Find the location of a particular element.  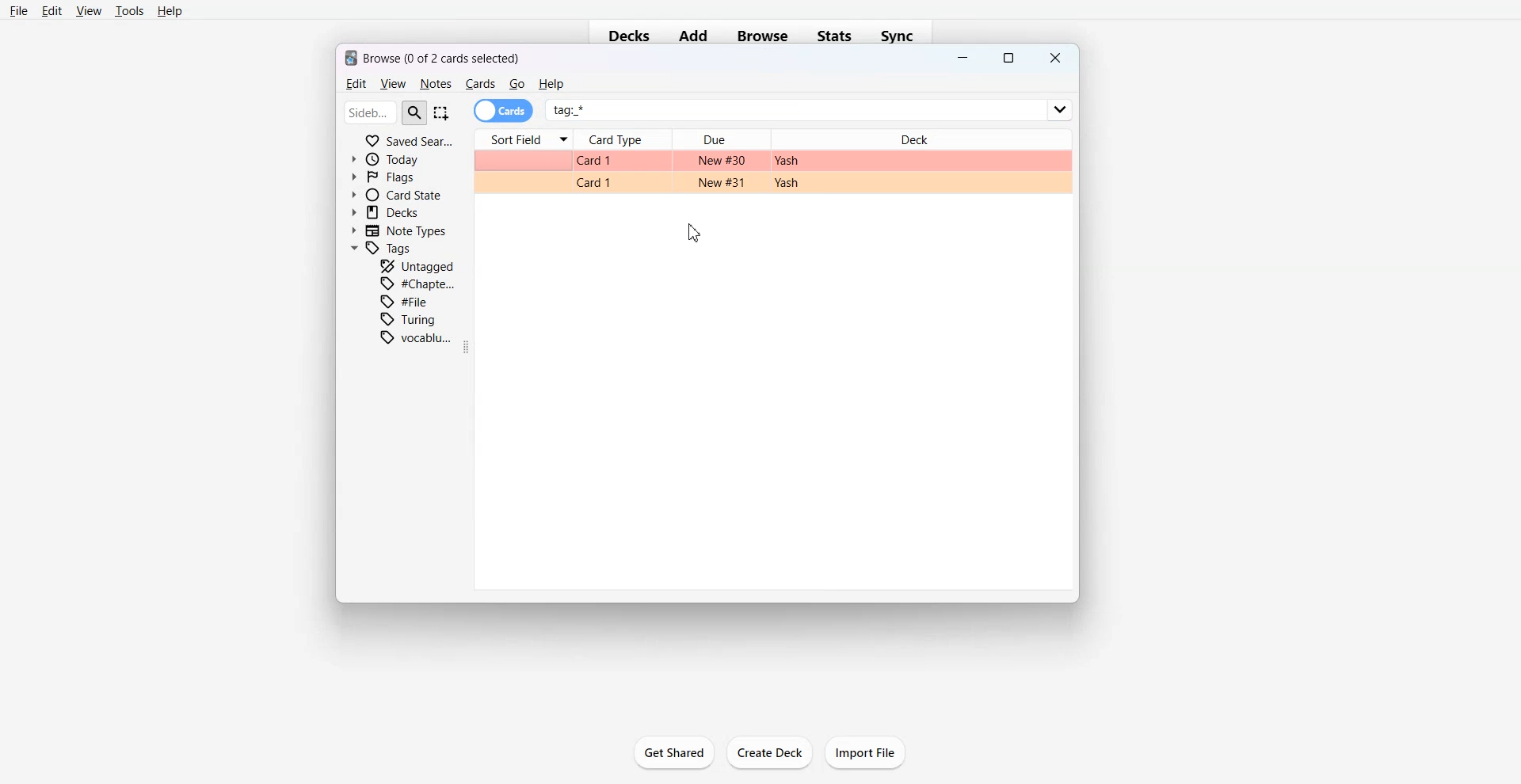

Saved Search is located at coordinates (409, 139).